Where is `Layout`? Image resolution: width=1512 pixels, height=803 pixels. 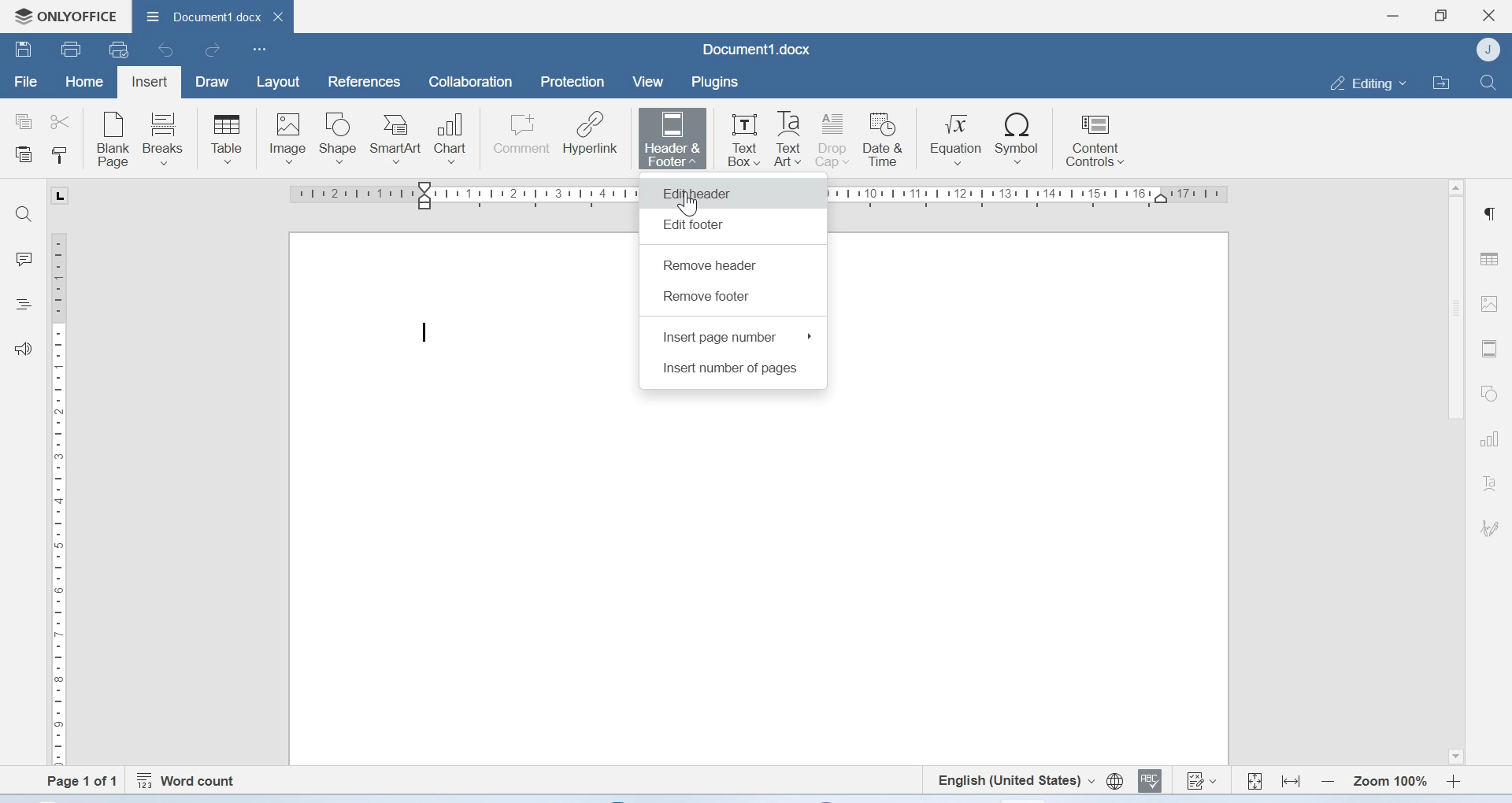
Layout is located at coordinates (279, 82).